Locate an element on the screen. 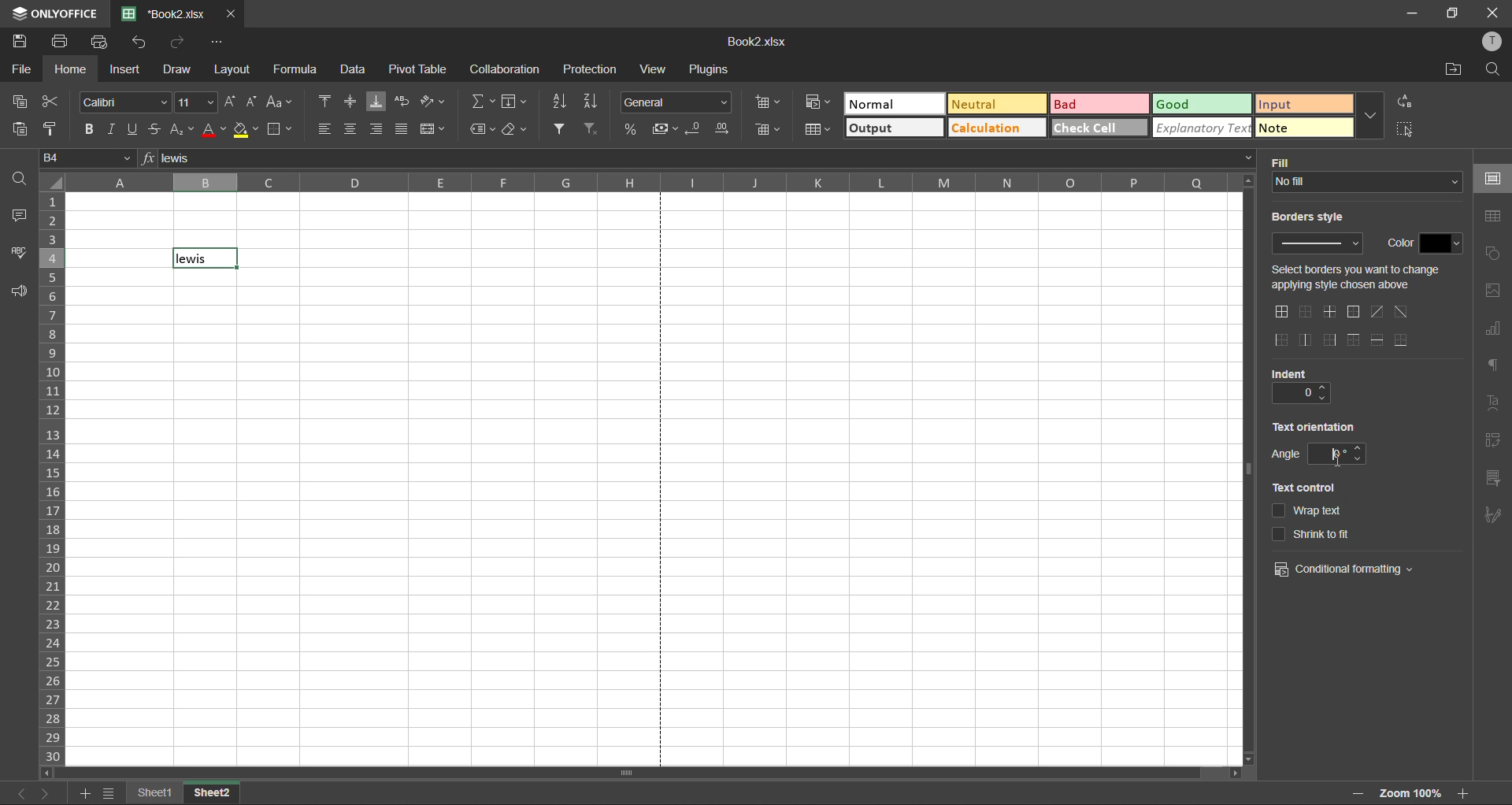 This screenshot has height=805, width=1512. align right is located at coordinates (374, 128).